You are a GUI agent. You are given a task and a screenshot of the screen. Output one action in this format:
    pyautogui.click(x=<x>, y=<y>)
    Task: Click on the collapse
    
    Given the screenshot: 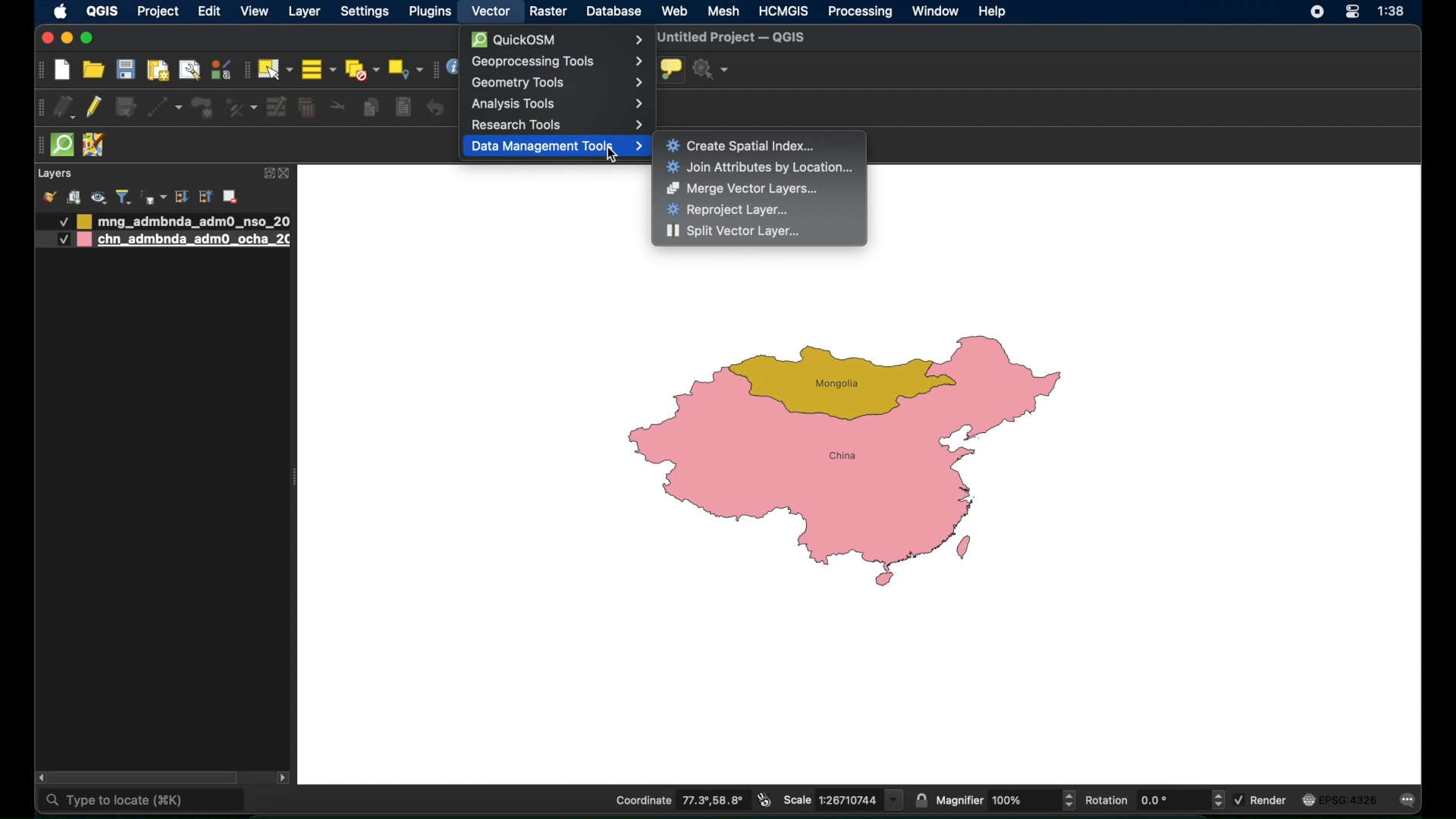 What is the action you would take?
    pyautogui.click(x=205, y=197)
    